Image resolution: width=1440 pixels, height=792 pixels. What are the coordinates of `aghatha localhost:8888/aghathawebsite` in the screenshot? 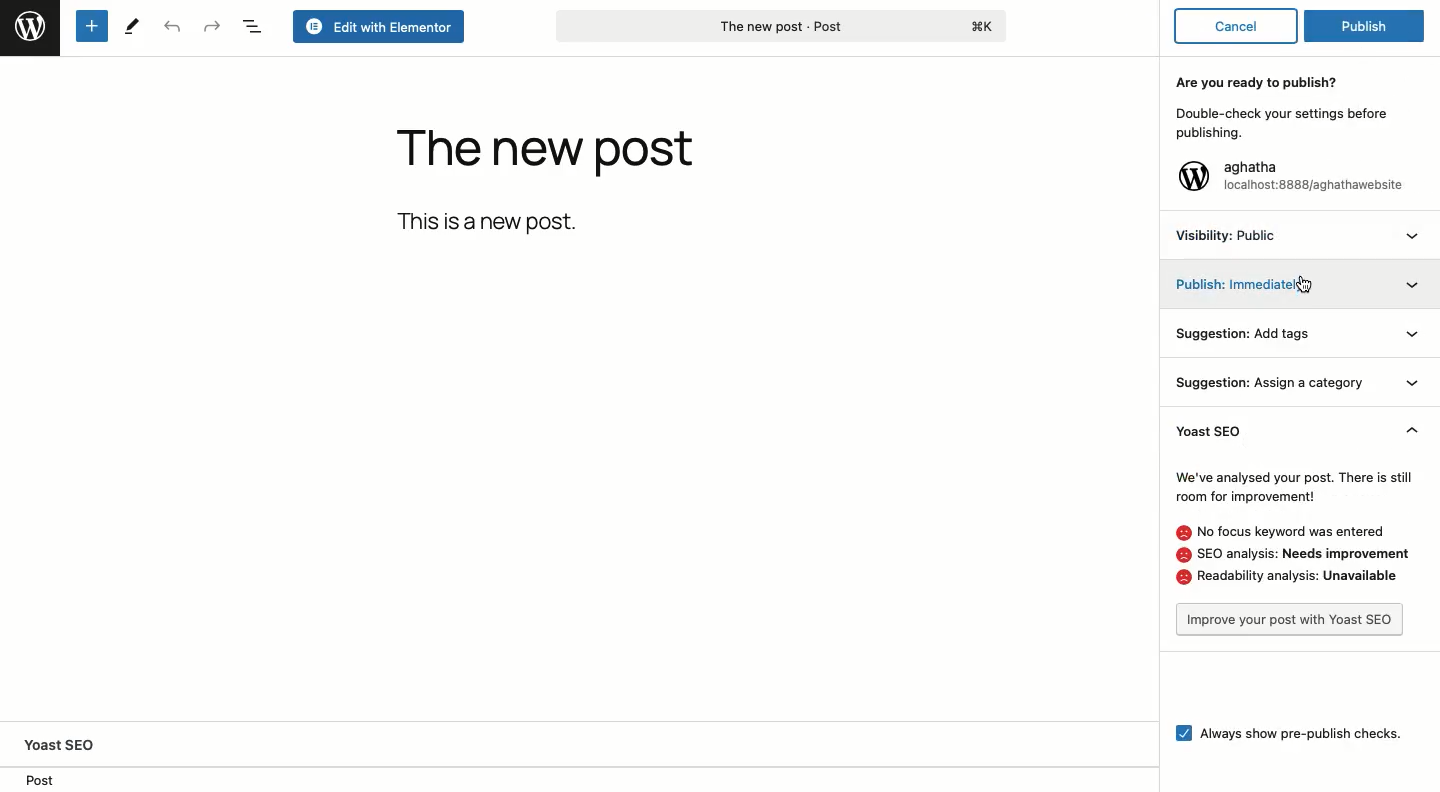 It's located at (1314, 178).